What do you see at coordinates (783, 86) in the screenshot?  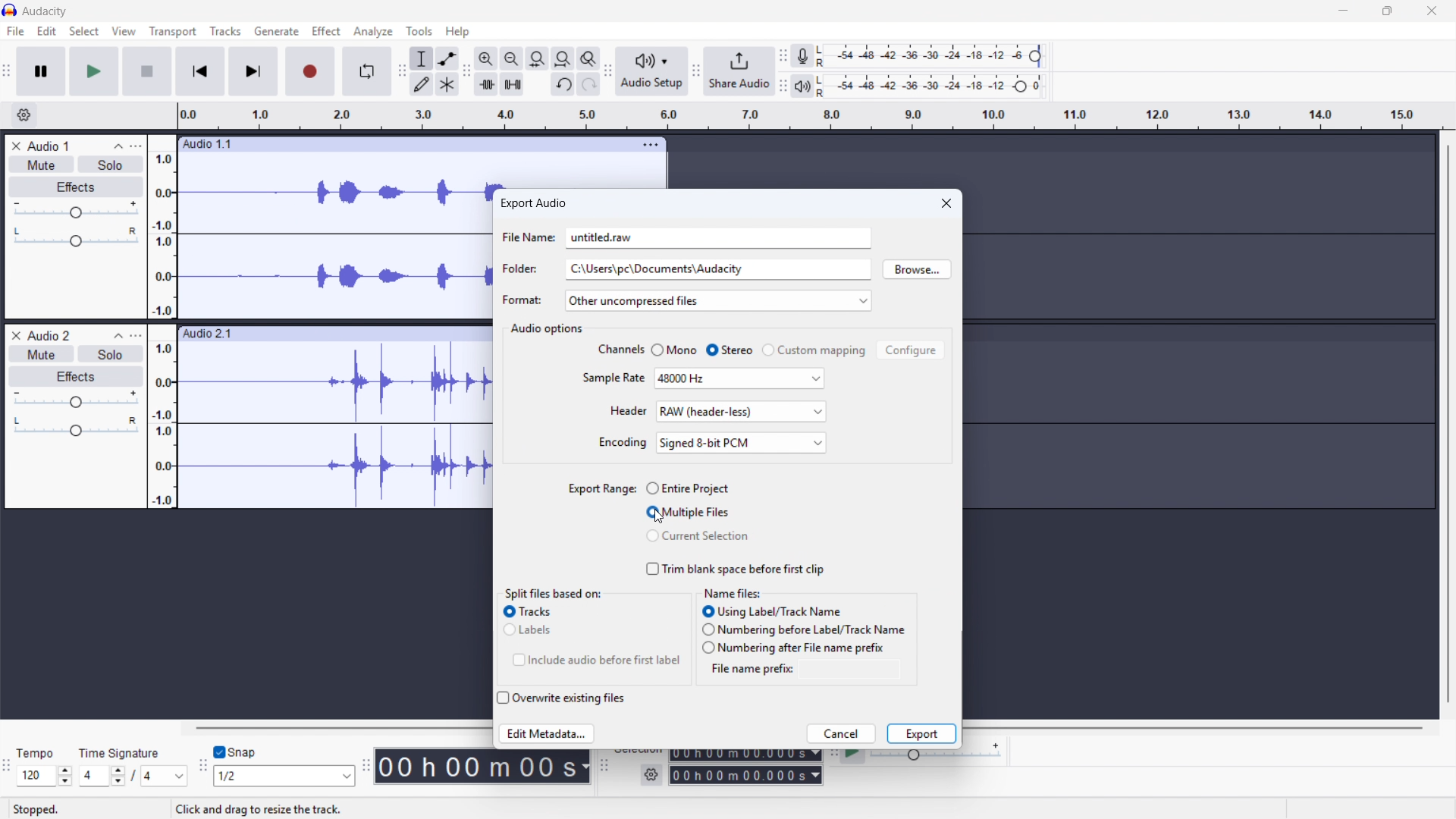 I see `playback metre tool bar` at bounding box center [783, 86].